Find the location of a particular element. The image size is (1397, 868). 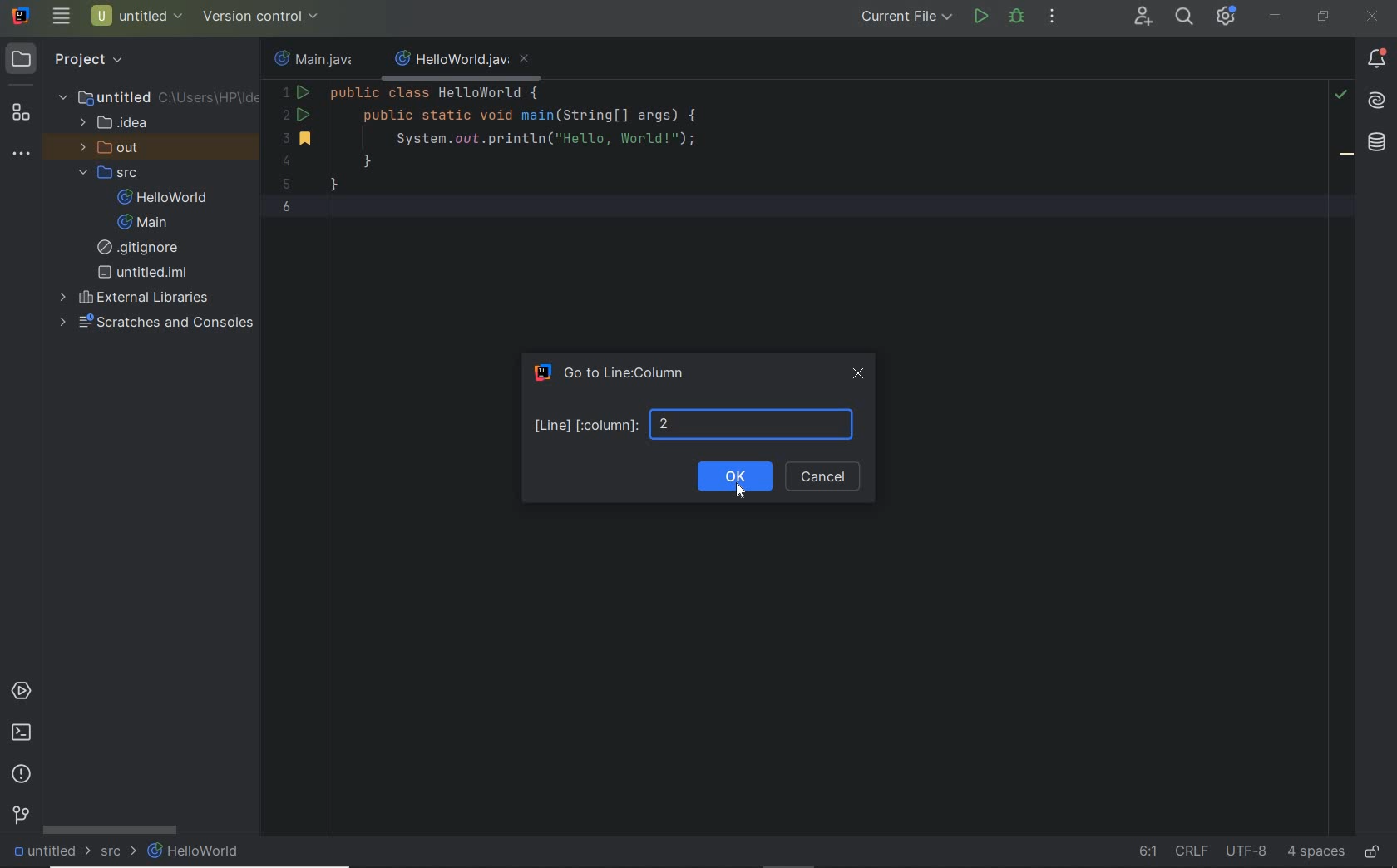

run/debug configurations is located at coordinates (909, 17).